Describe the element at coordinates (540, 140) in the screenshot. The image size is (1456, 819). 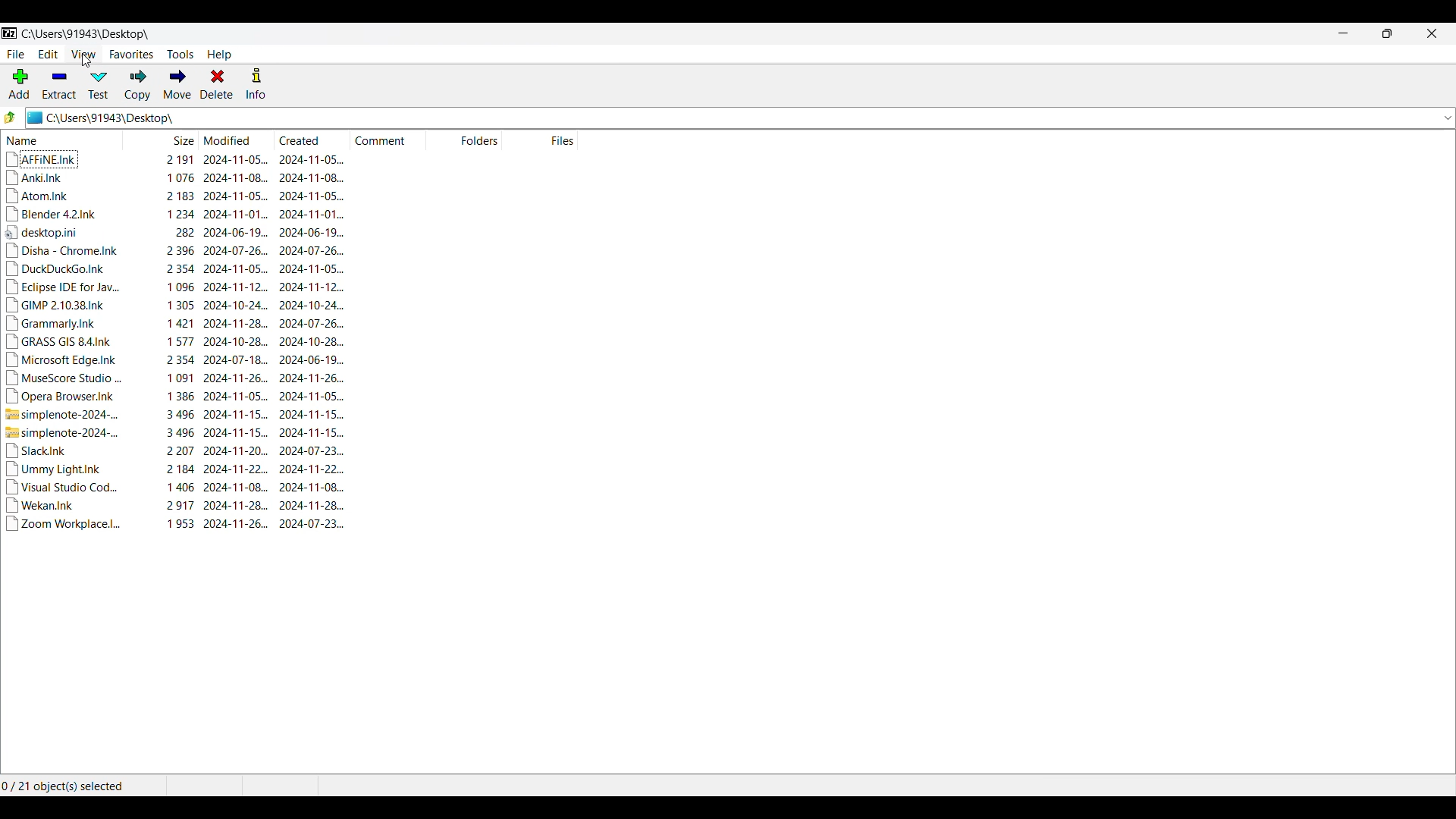
I see `Files` at that location.